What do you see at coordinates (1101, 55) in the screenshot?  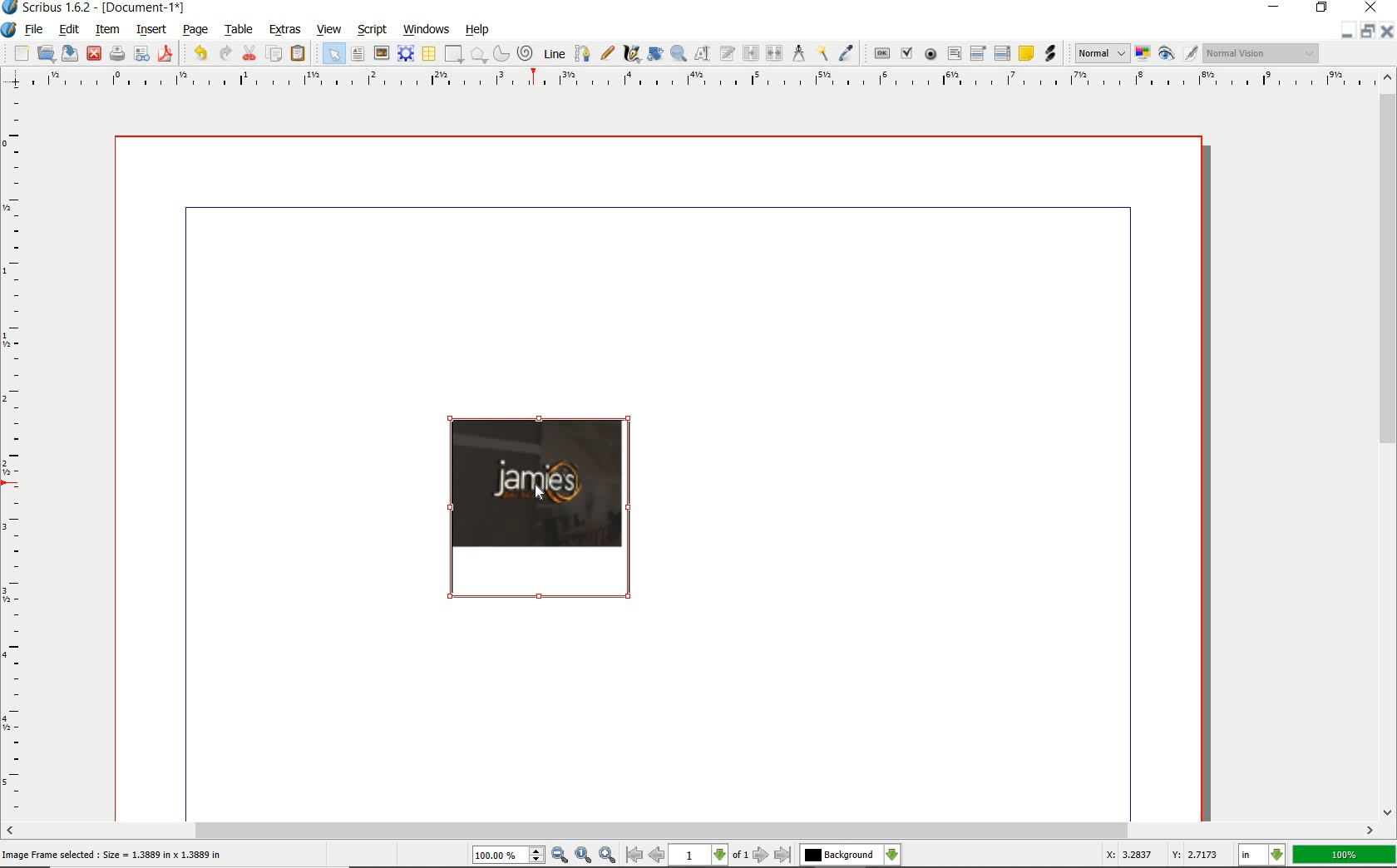 I see `select image preview mode` at bounding box center [1101, 55].